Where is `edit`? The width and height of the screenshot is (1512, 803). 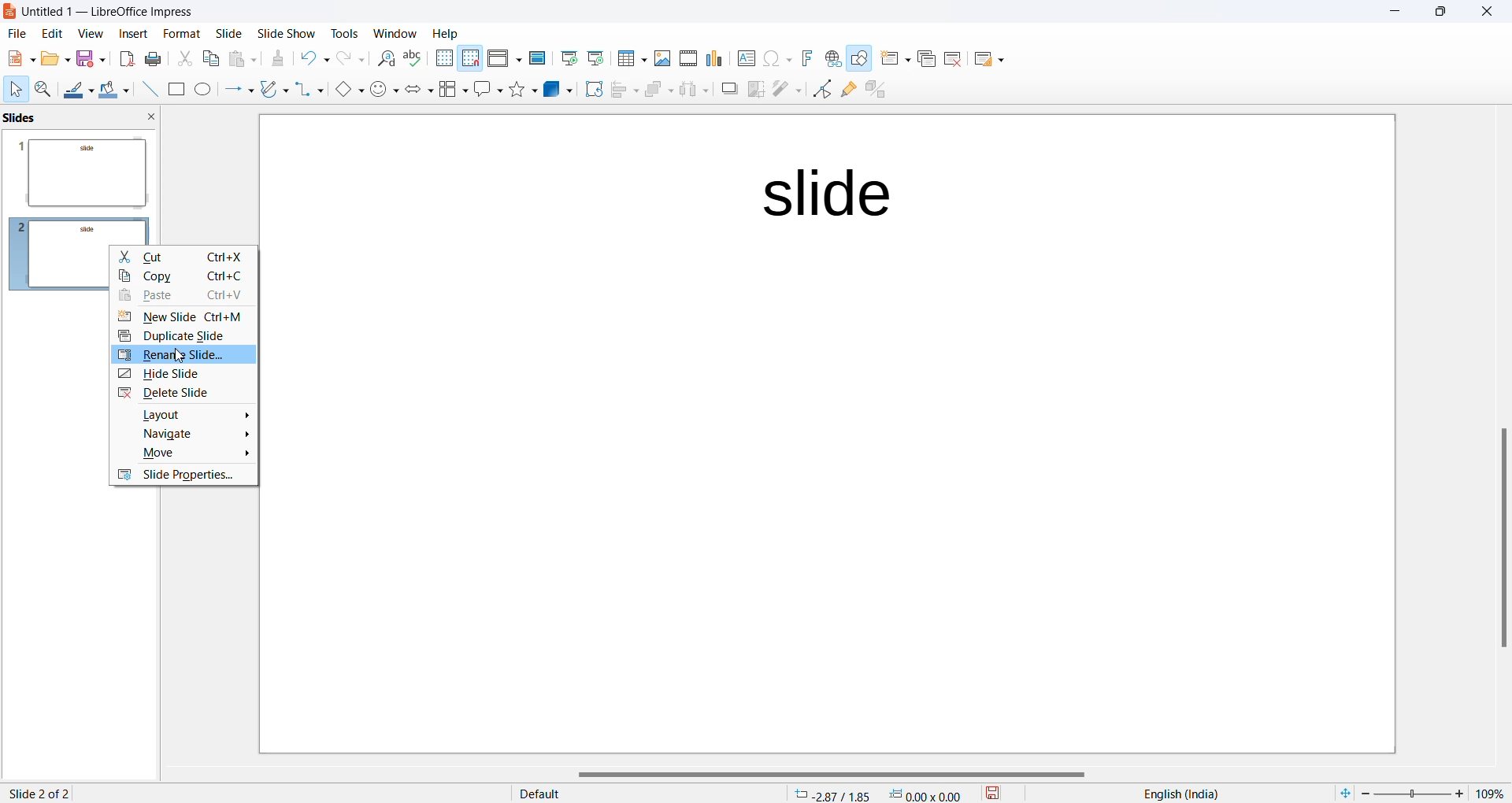
edit is located at coordinates (50, 35).